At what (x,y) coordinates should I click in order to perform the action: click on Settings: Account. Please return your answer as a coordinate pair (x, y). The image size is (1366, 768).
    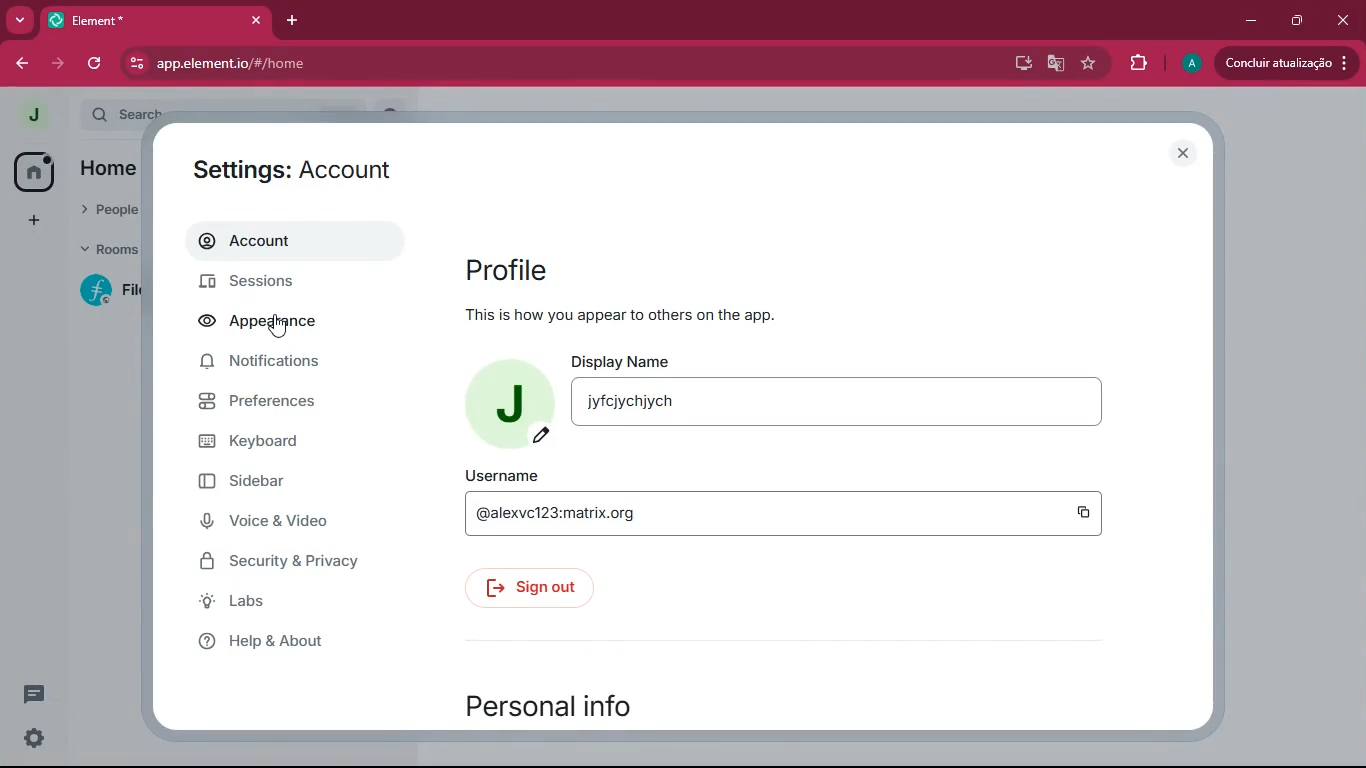
    Looking at the image, I should click on (293, 169).